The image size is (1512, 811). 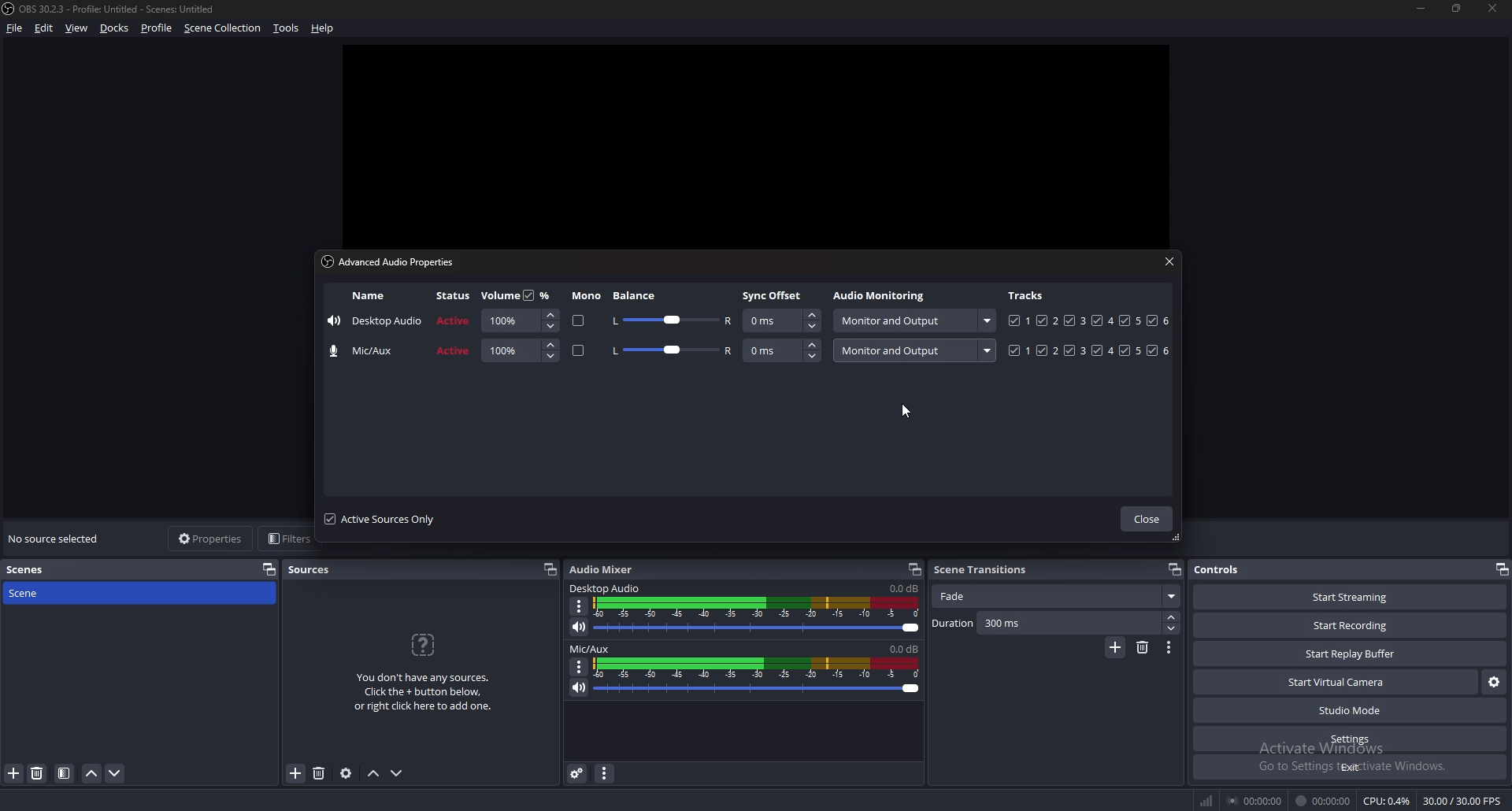 What do you see at coordinates (1349, 711) in the screenshot?
I see `studio mode` at bounding box center [1349, 711].